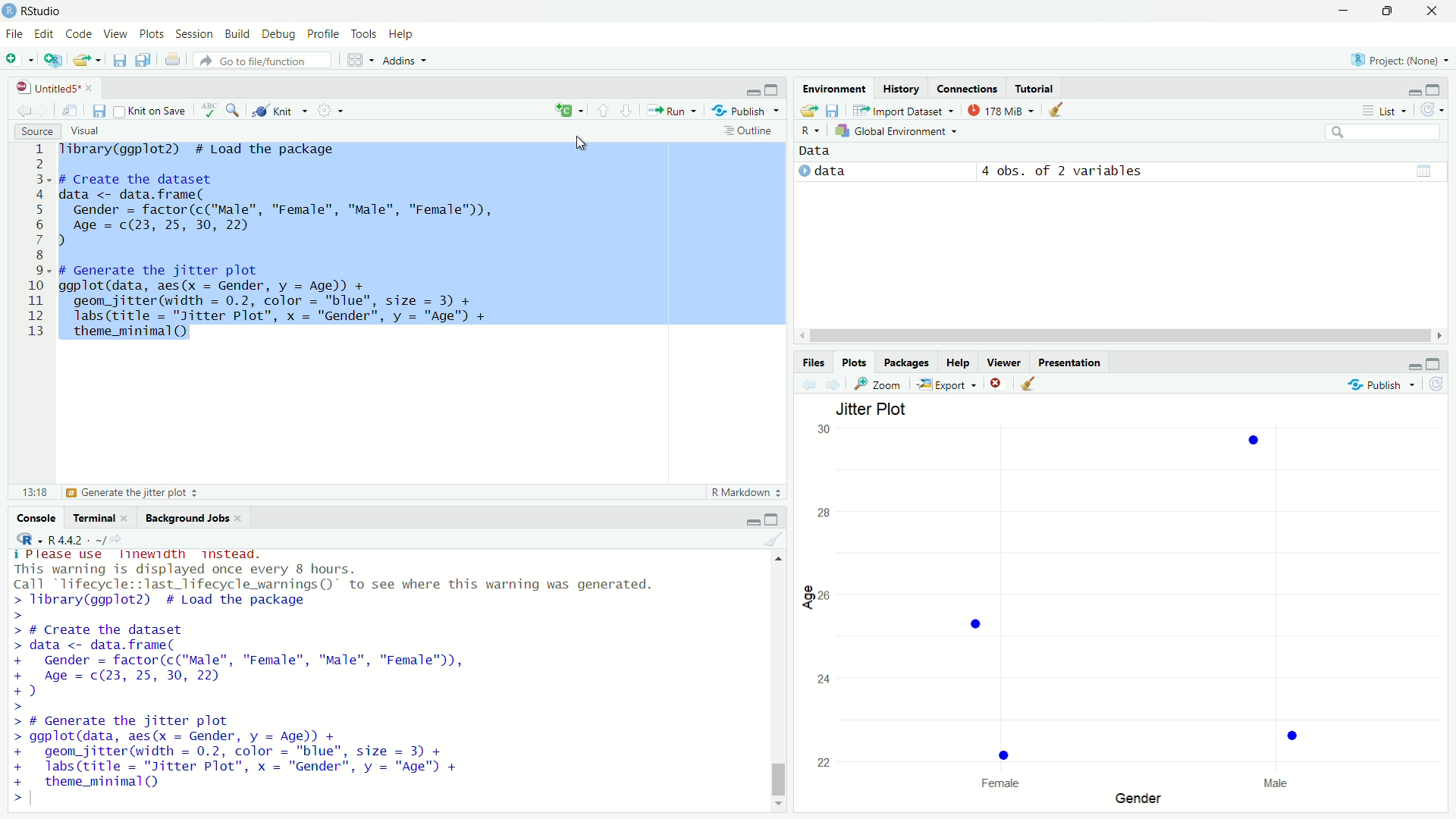 Image resolution: width=1456 pixels, height=819 pixels. Describe the element at coordinates (752, 88) in the screenshot. I see `minimize` at that location.